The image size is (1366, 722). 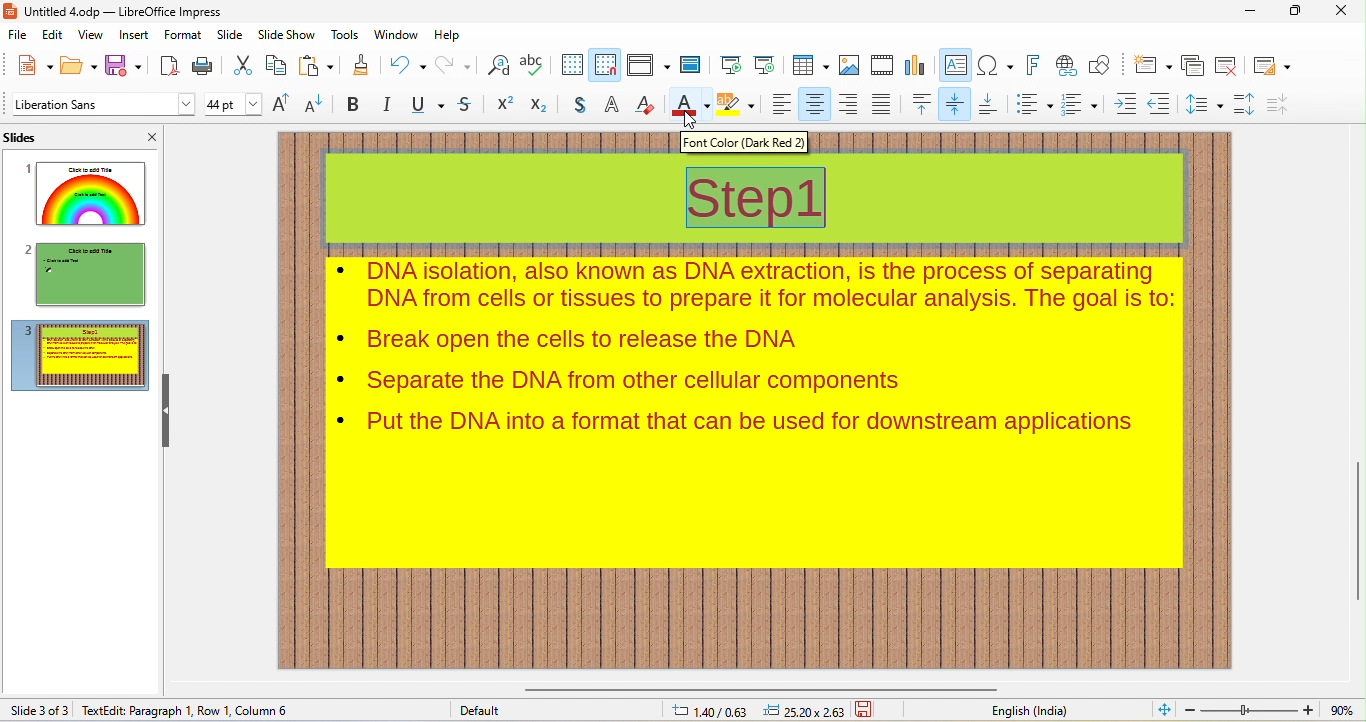 What do you see at coordinates (738, 106) in the screenshot?
I see `background` at bounding box center [738, 106].